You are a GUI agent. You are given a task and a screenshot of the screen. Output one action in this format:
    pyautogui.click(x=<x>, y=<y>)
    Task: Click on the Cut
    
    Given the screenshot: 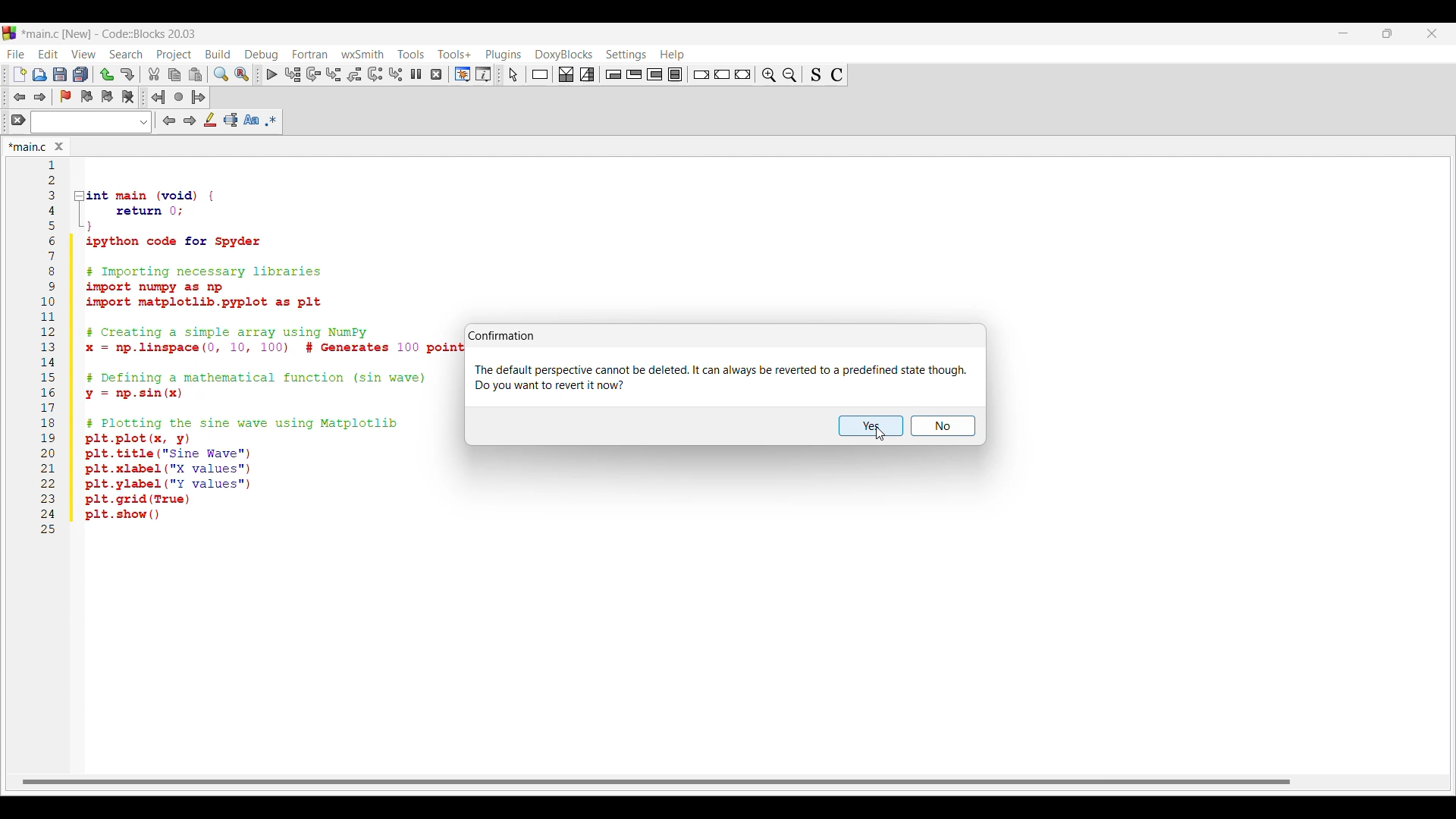 What is the action you would take?
    pyautogui.click(x=155, y=74)
    